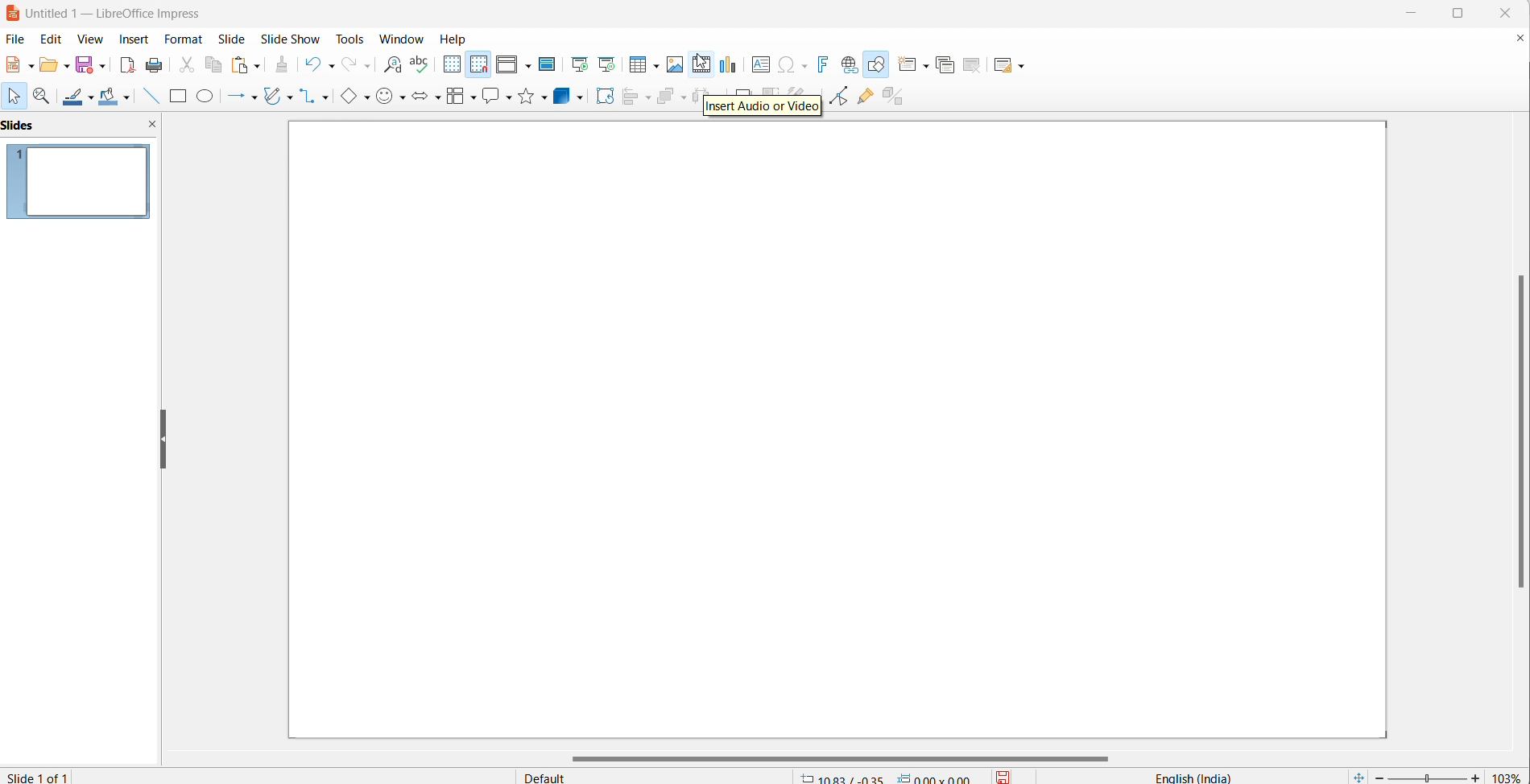 The height and width of the screenshot is (784, 1530). I want to click on symbol shapes options, so click(402, 98).